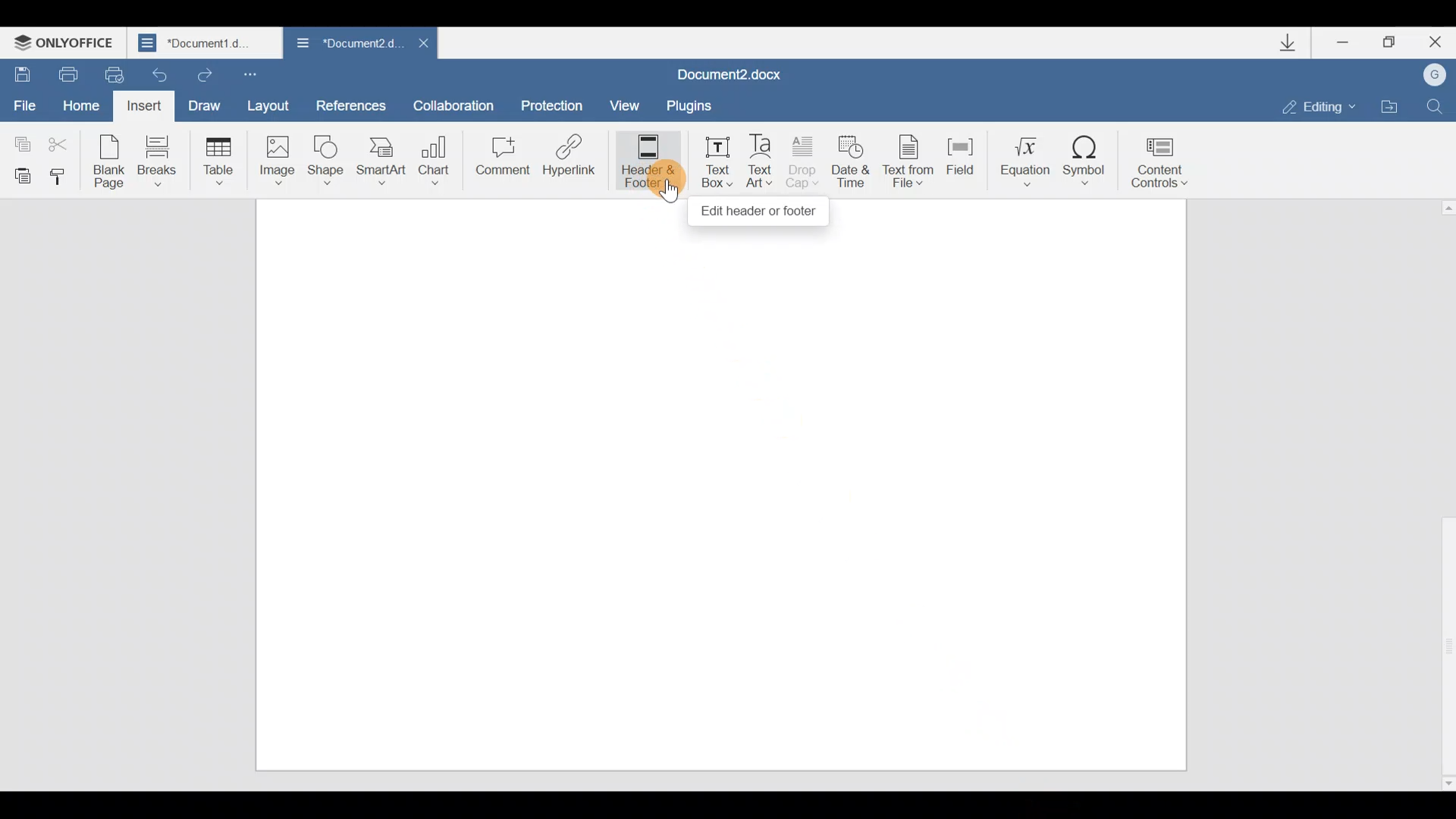 Image resolution: width=1456 pixels, height=819 pixels. I want to click on Working area, so click(718, 502).